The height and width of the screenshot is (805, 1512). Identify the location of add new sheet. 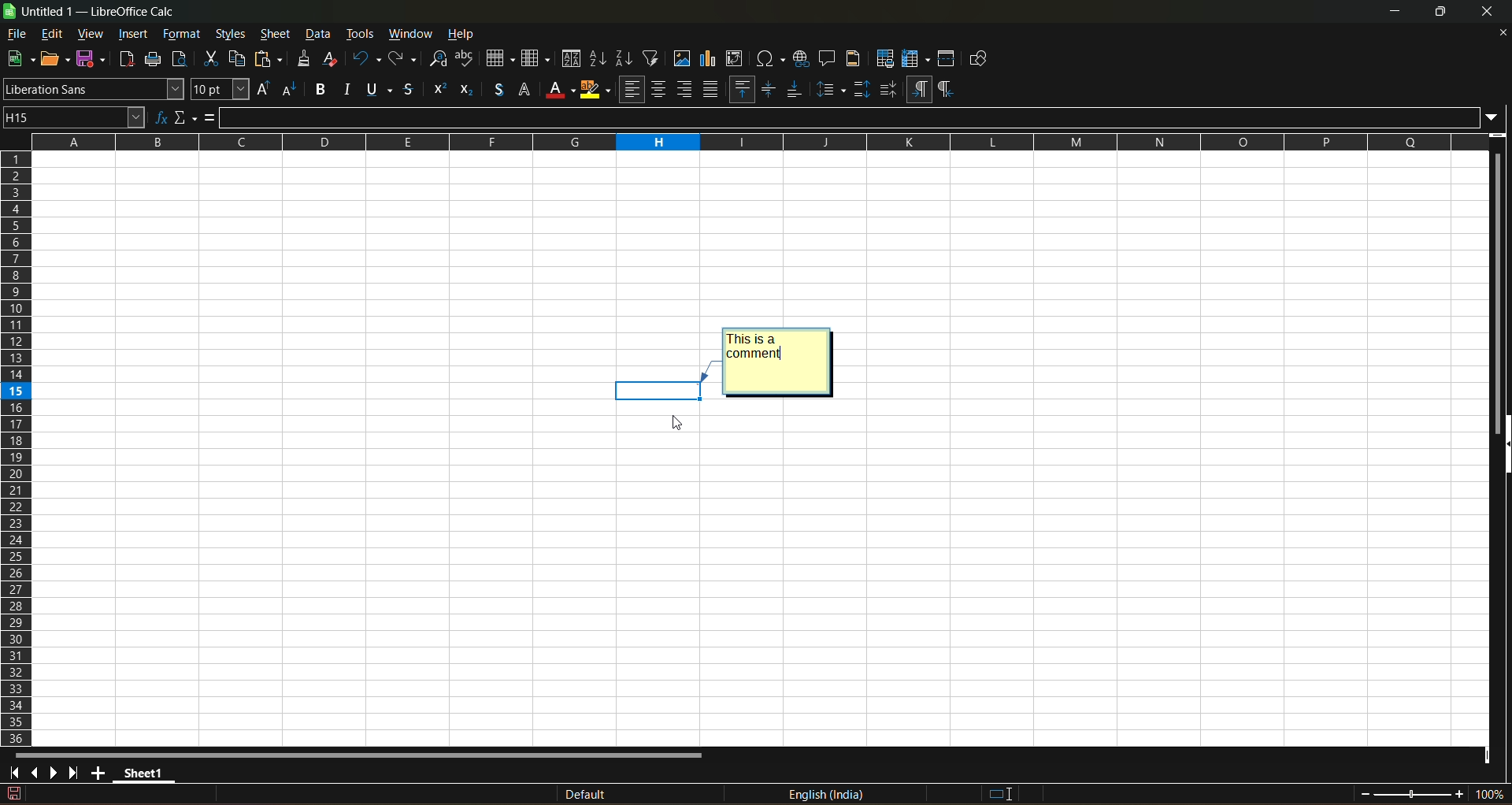
(100, 771).